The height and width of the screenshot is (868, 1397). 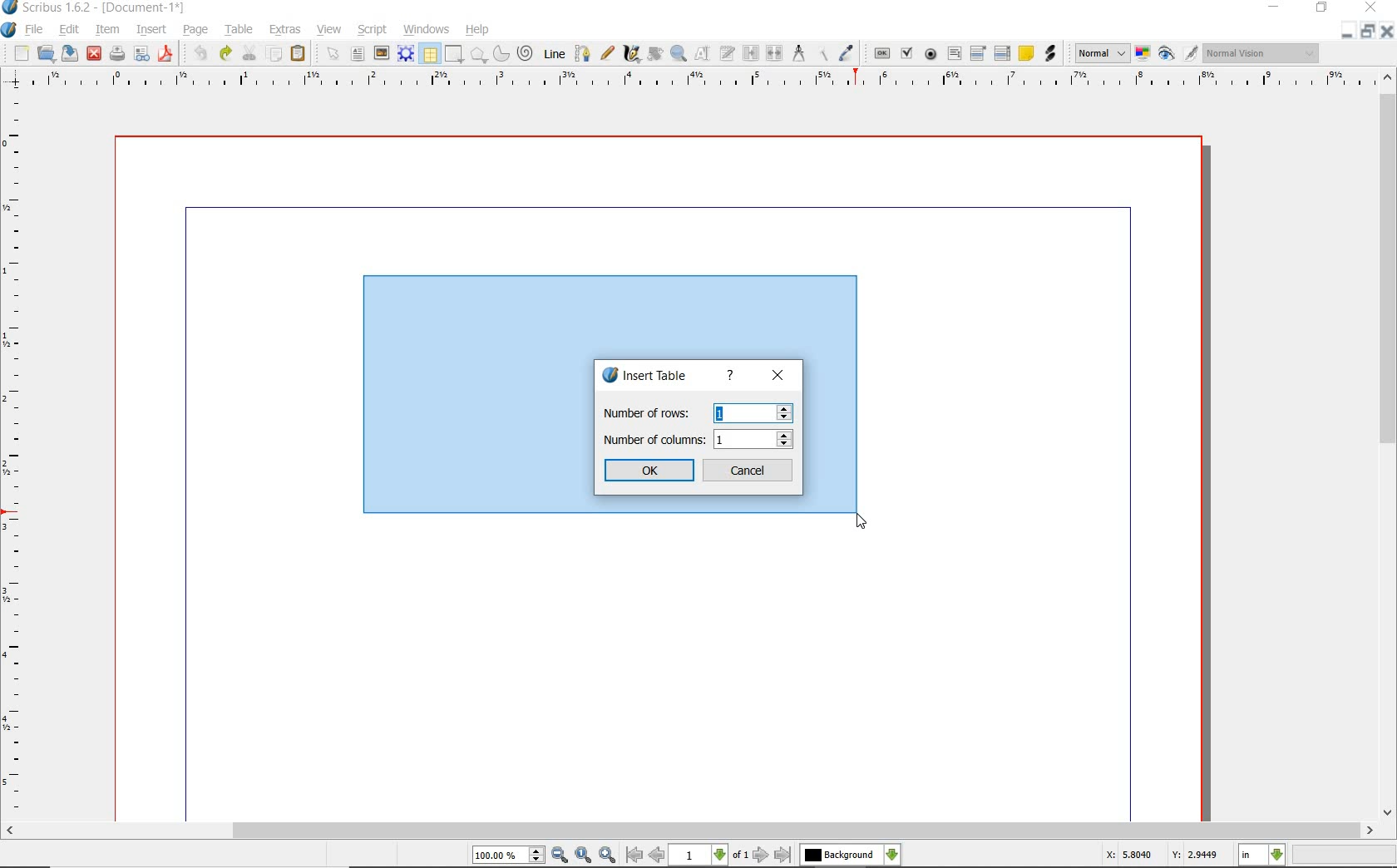 What do you see at coordinates (847, 53) in the screenshot?
I see `eye dropper` at bounding box center [847, 53].